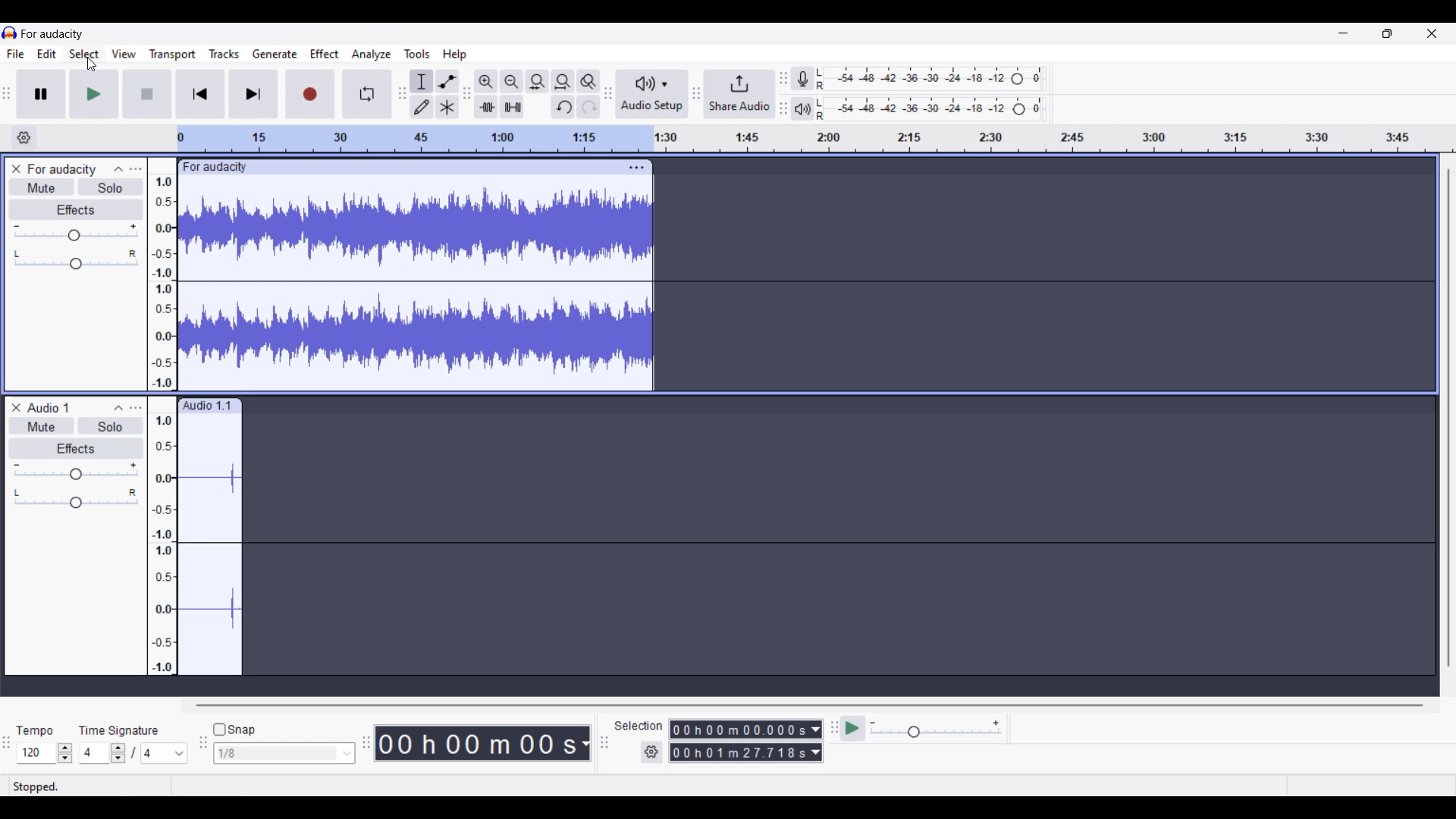 This screenshot has height=819, width=1456. Describe the element at coordinates (76, 472) in the screenshot. I see `gain` at that location.